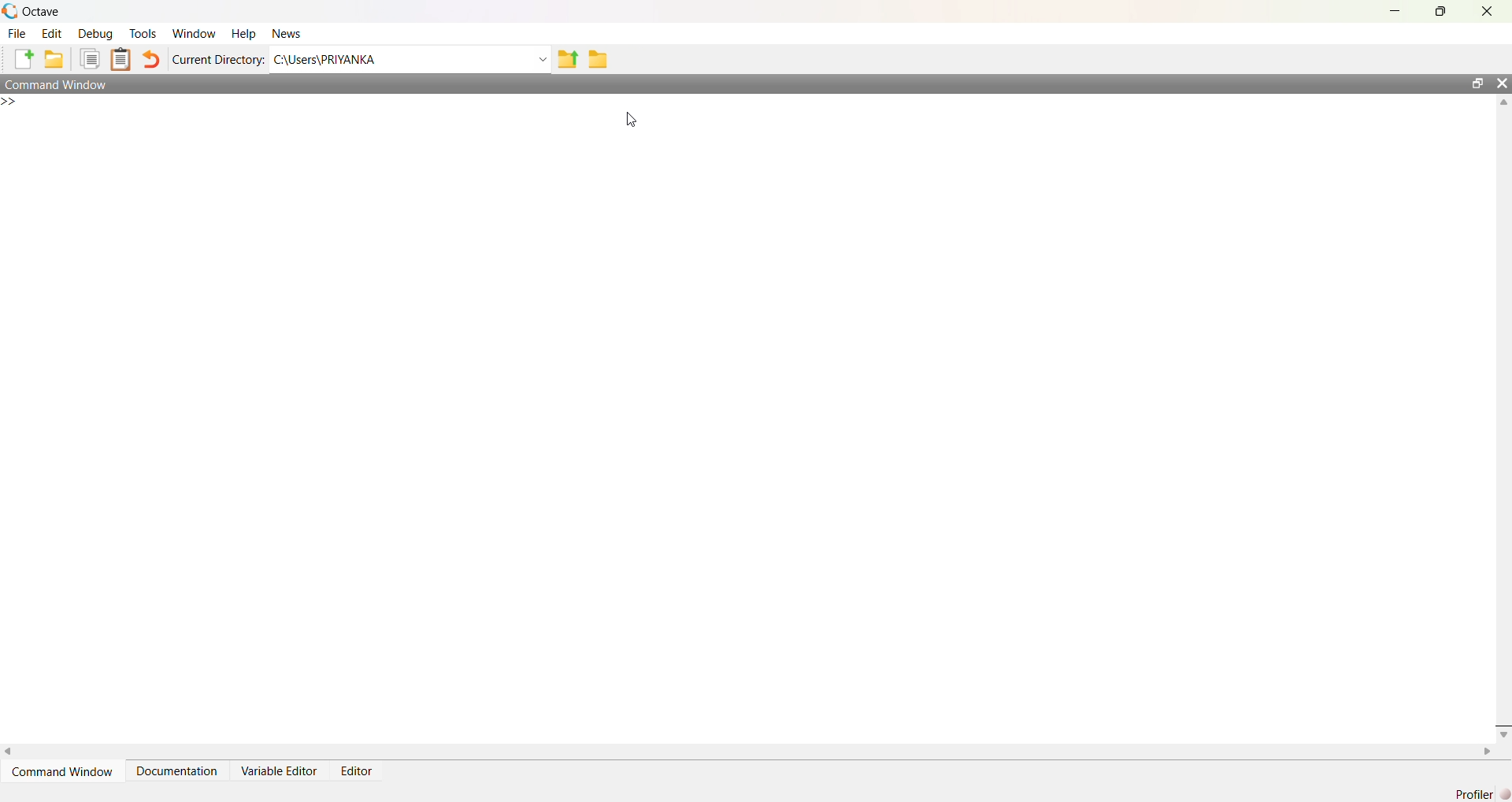  I want to click on Variable Editor, so click(278, 770).